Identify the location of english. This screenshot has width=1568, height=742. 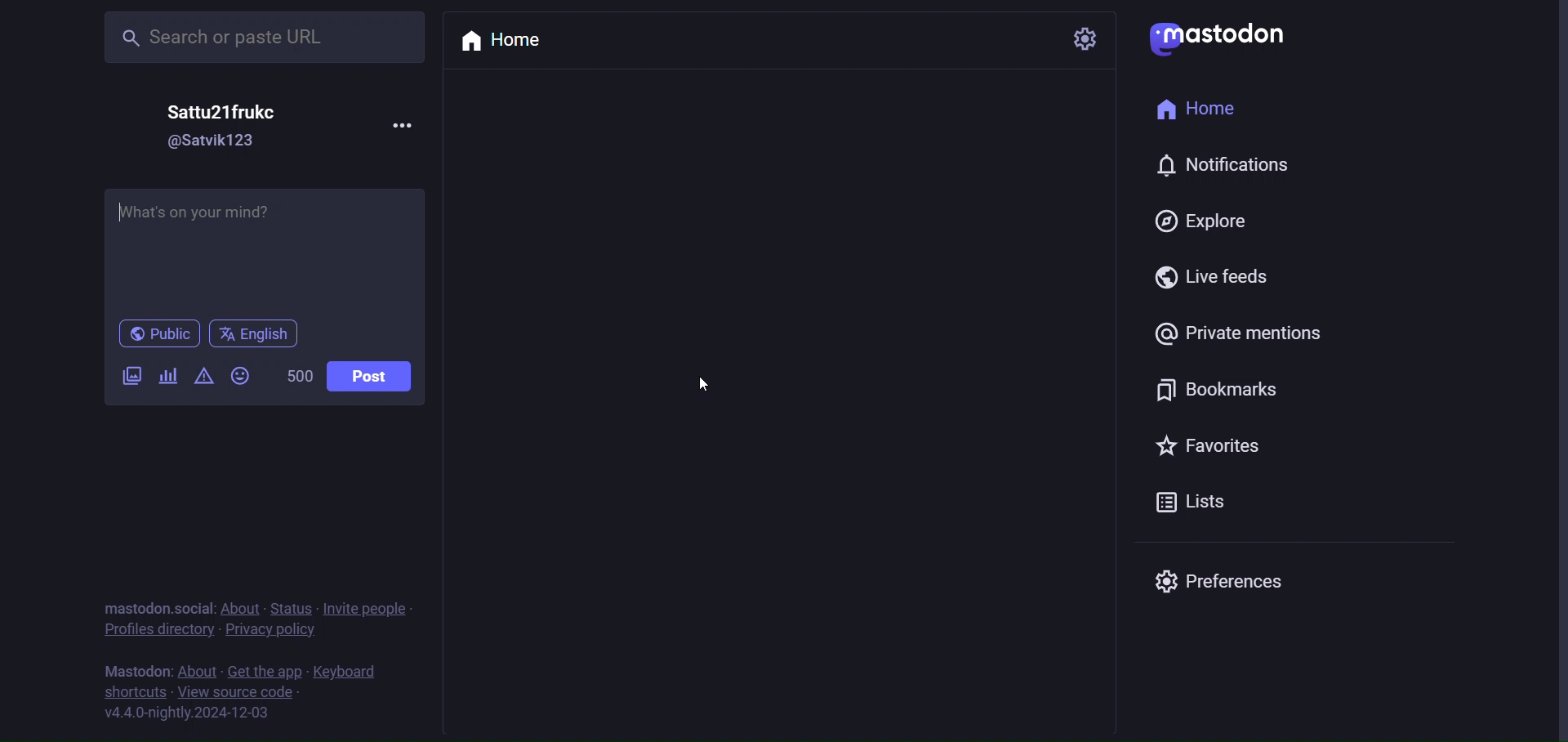
(258, 333).